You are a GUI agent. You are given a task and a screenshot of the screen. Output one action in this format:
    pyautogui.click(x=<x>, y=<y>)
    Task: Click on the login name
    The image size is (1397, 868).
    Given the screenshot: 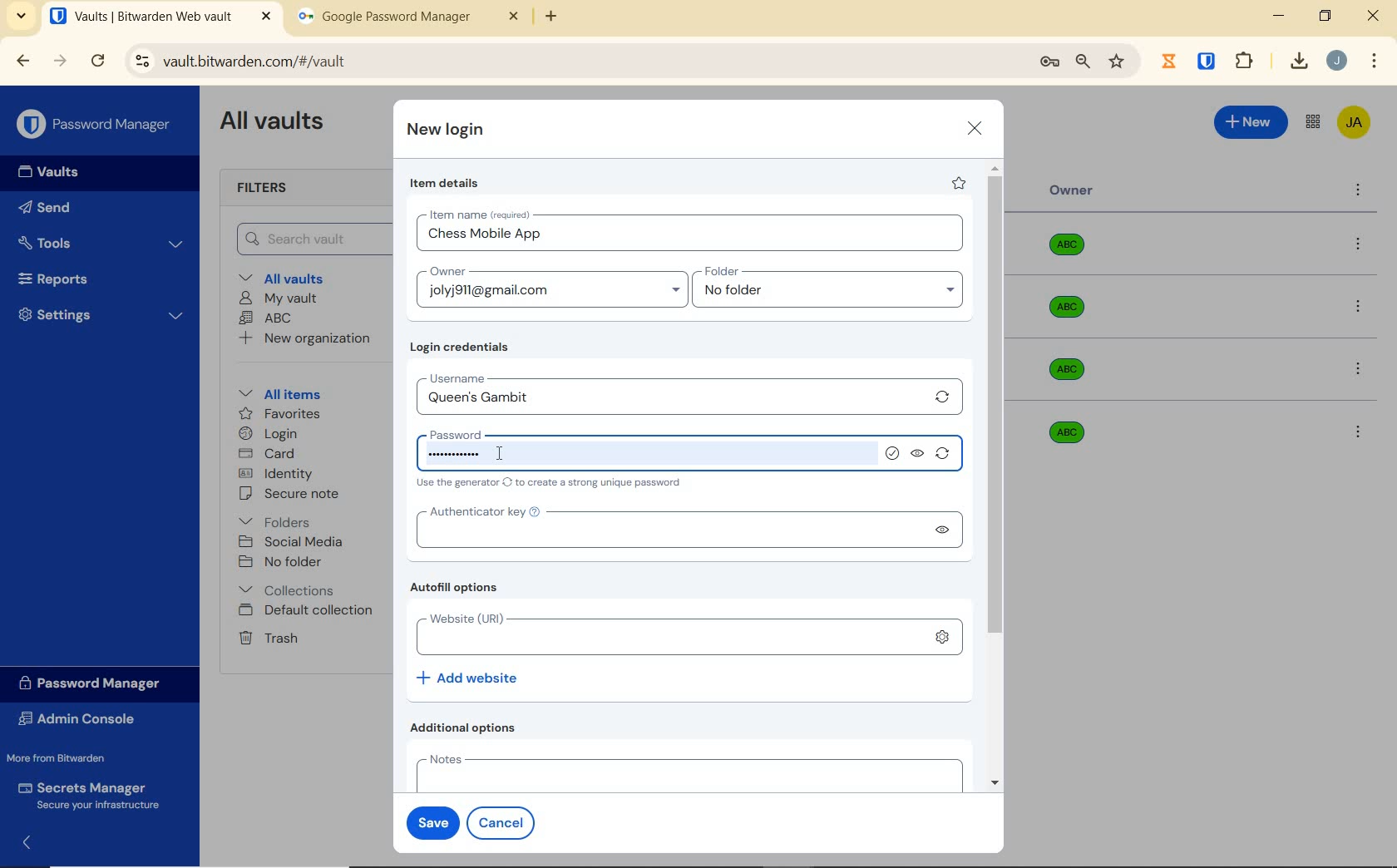 What is the action you would take?
    pyautogui.click(x=693, y=238)
    